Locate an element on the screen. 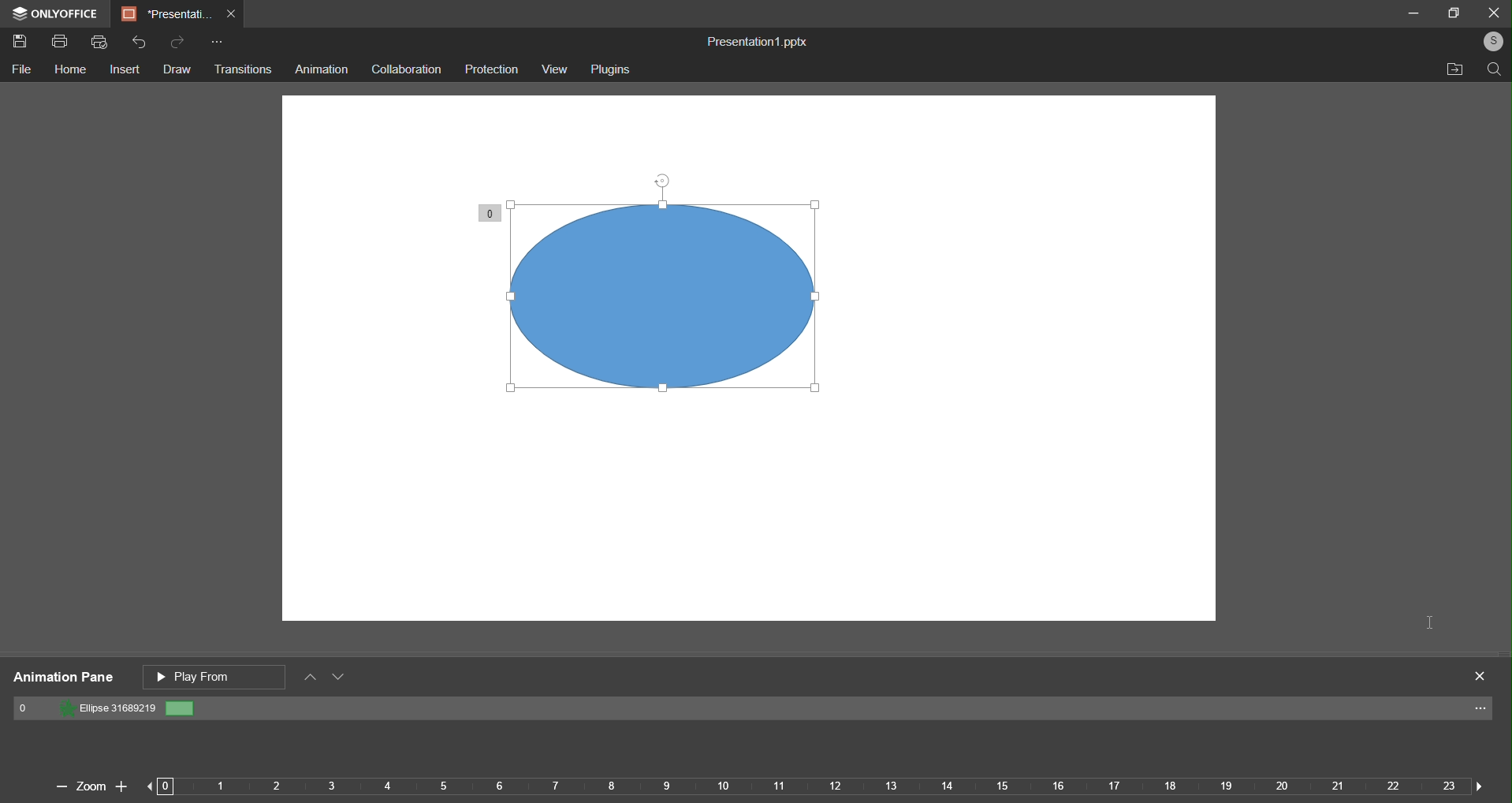 The image size is (1512, 803). login is located at coordinates (1492, 40).